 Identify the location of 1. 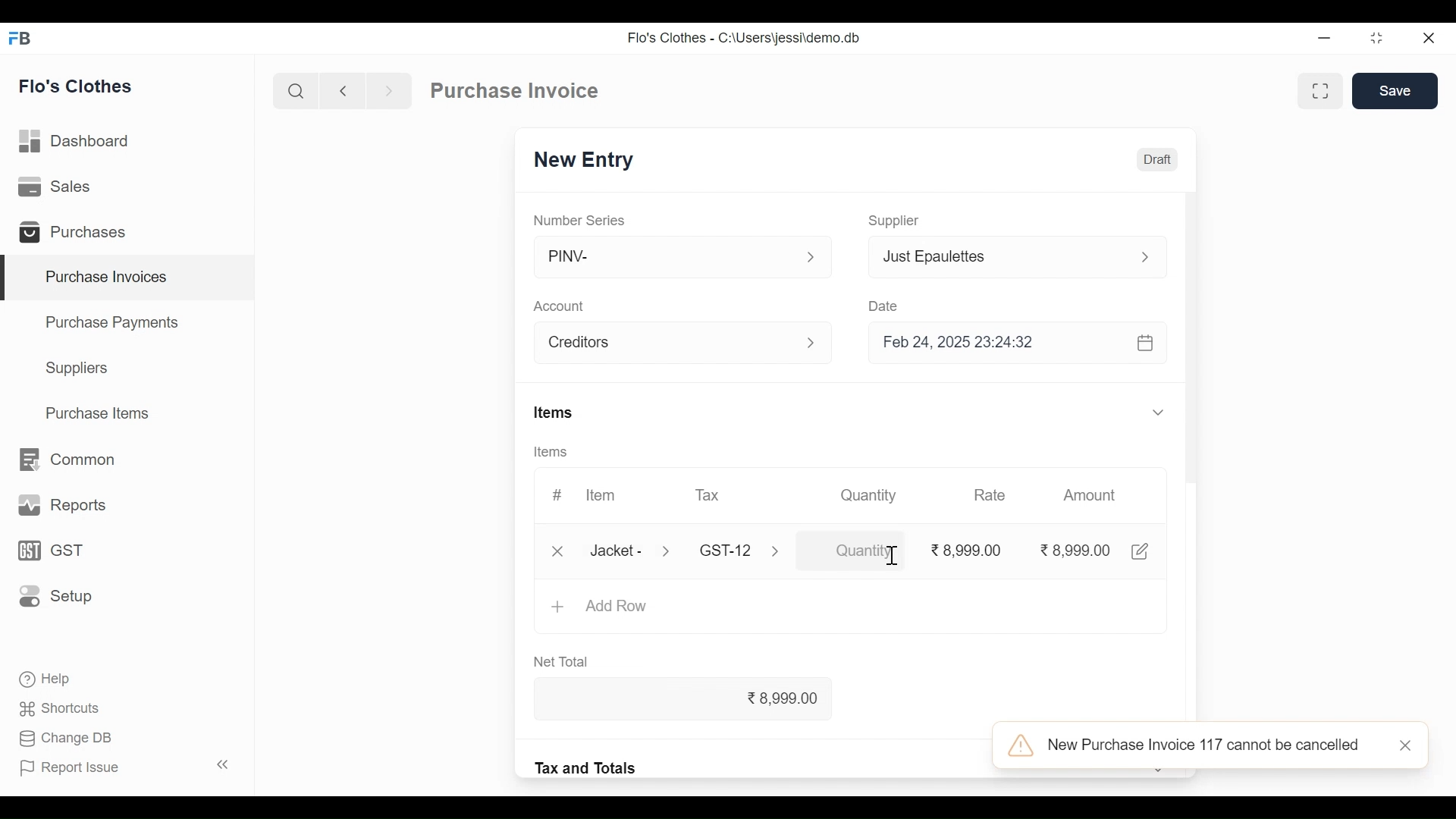
(851, 551).